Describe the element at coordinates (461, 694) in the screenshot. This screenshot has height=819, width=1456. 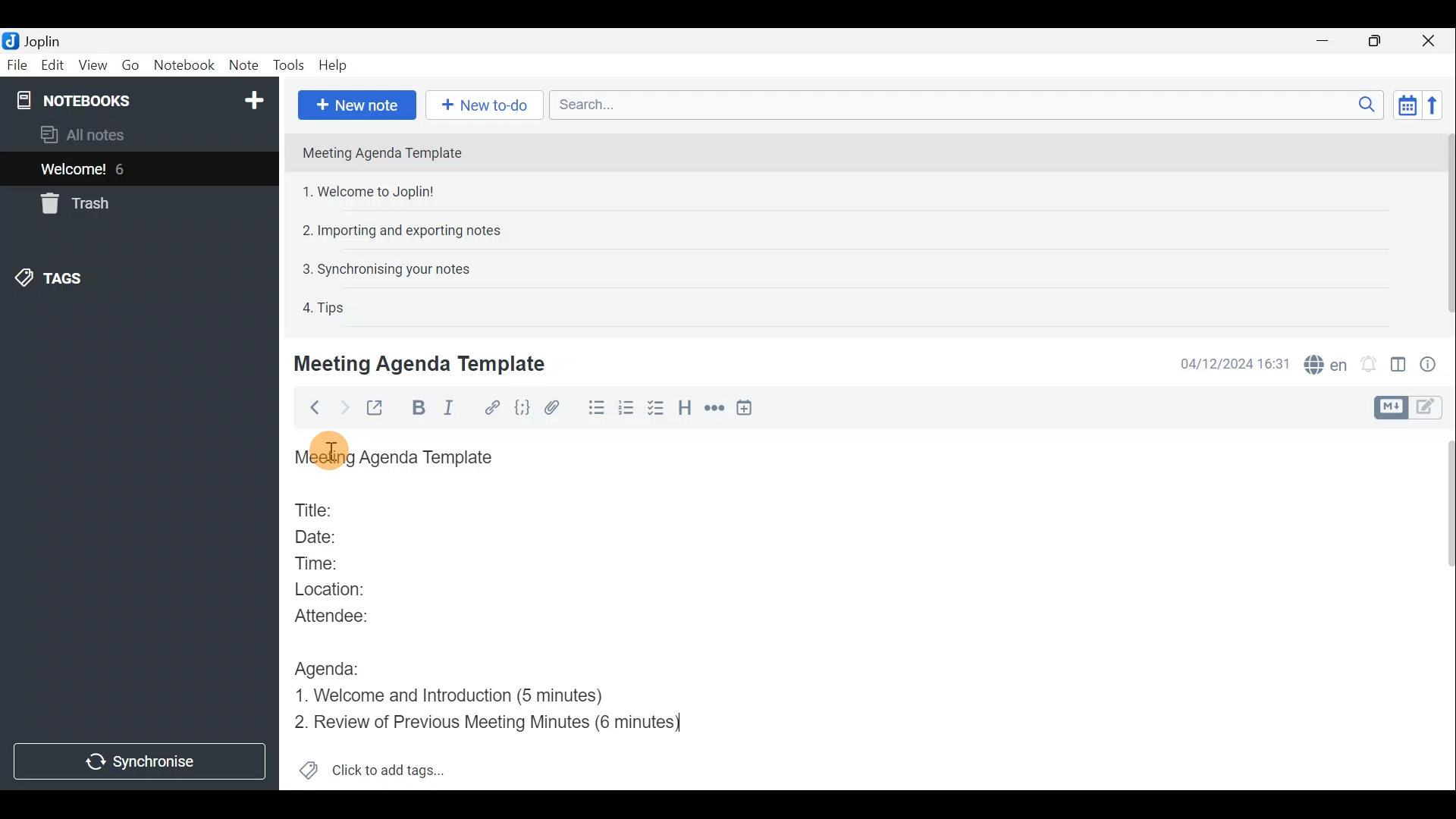
I see `1. Welcome and Introduction (5 minutes)` at that location.